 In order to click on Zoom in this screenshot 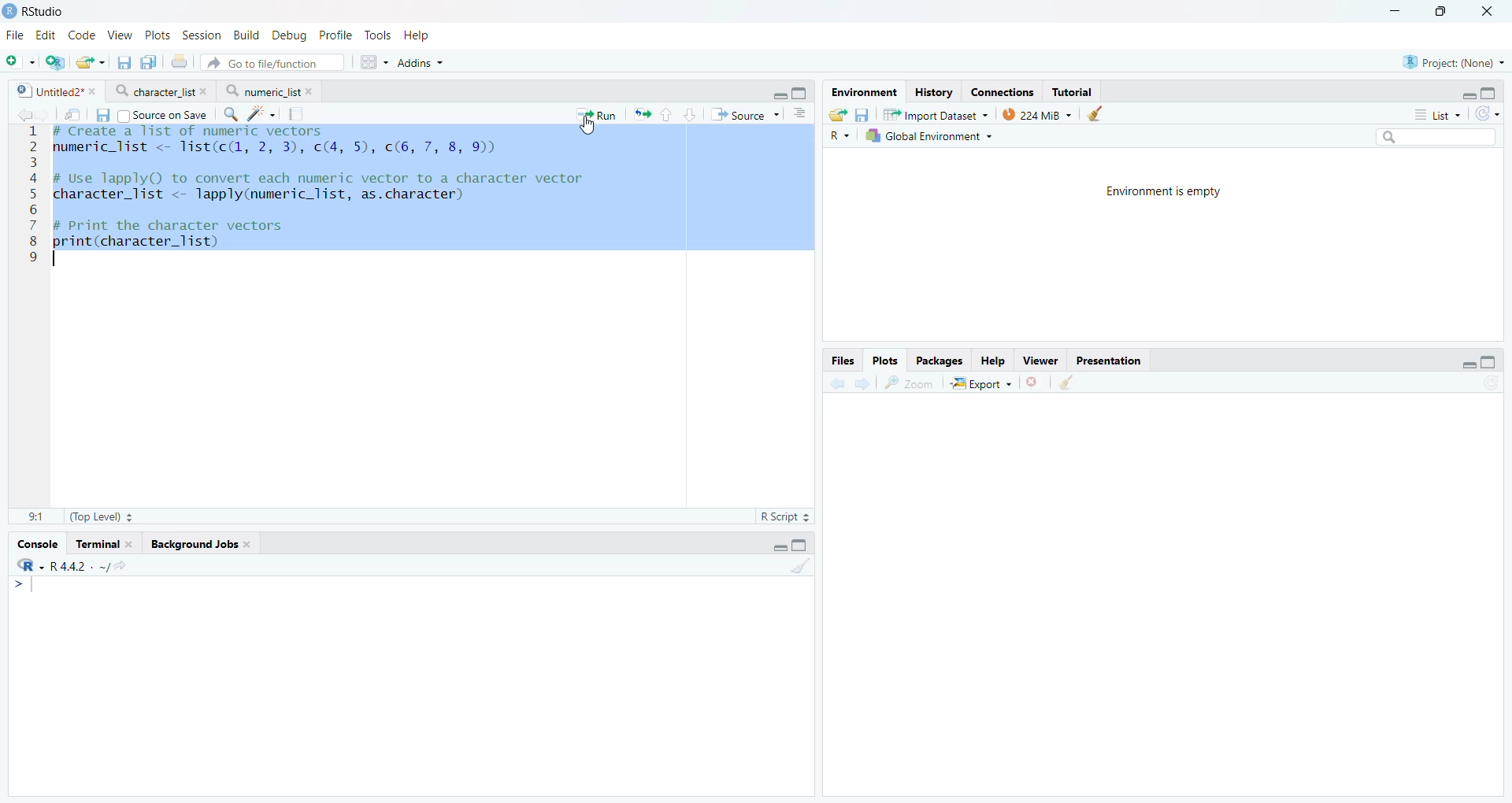, I will do `click(910, 383)`.